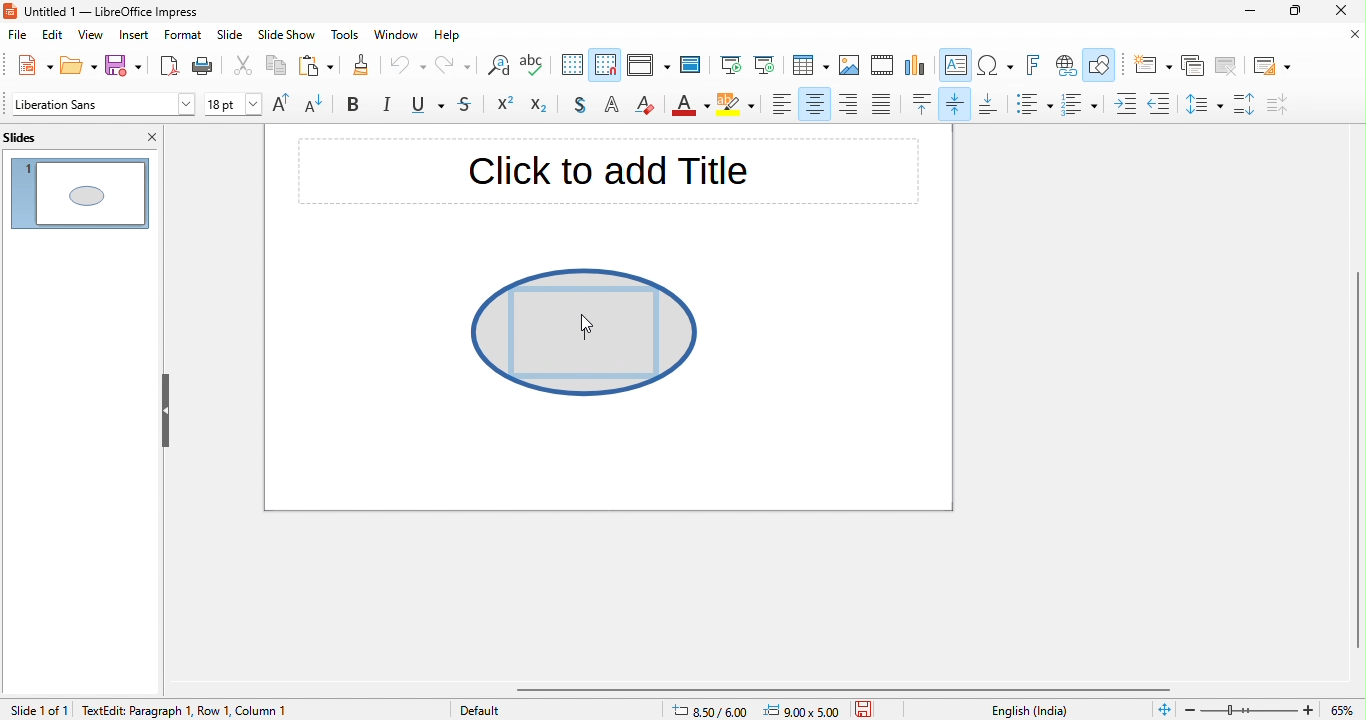 This screenshot has width=1366, height=720. Describe the element at coordinates (183, 36) in the screenshot. I see `format` at that location.